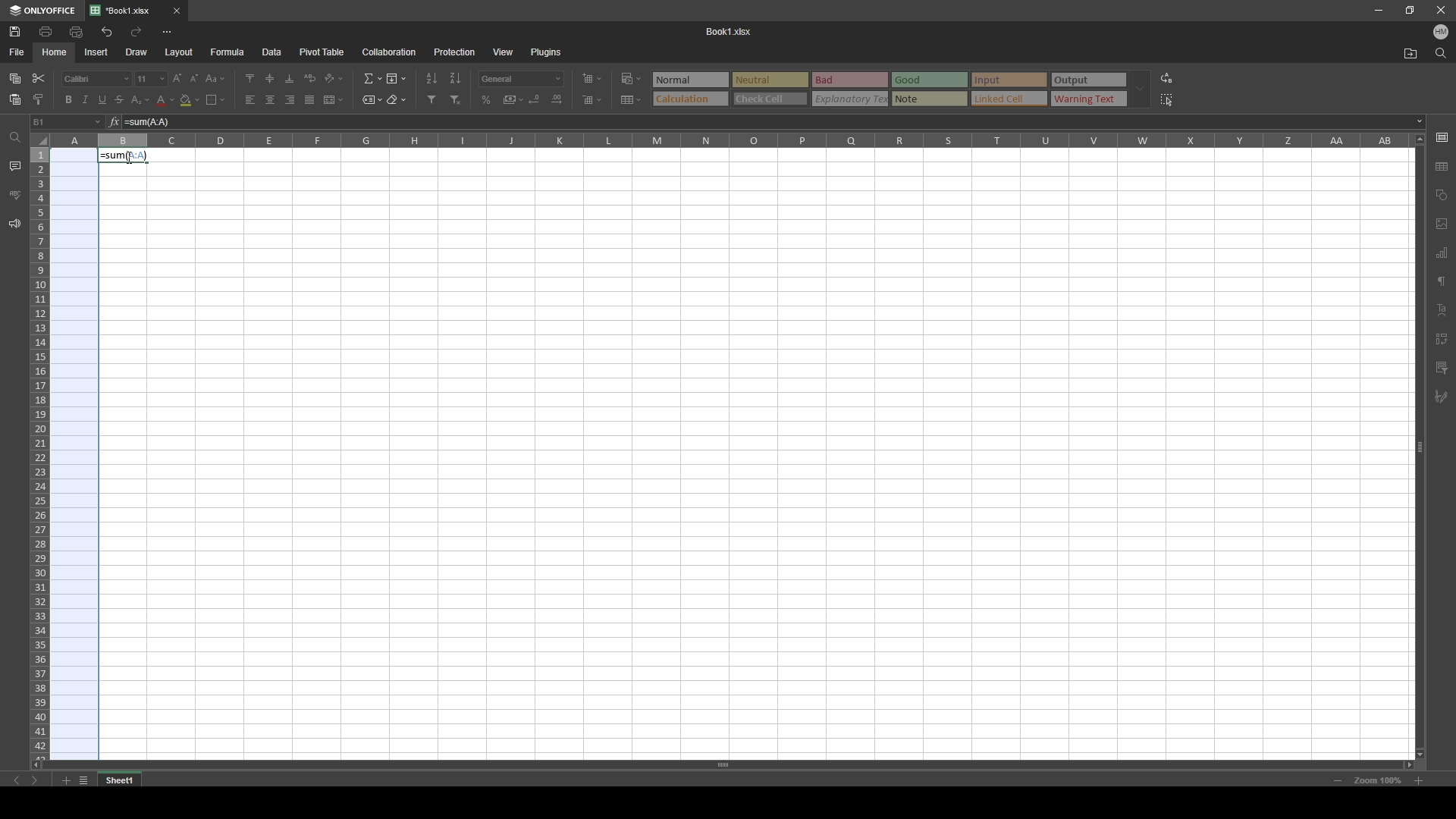 The image size is (1456, 819). What do you see at coordinates (137, 52) in the screenshot?
I see `draw` at bounding box center [137, 52].